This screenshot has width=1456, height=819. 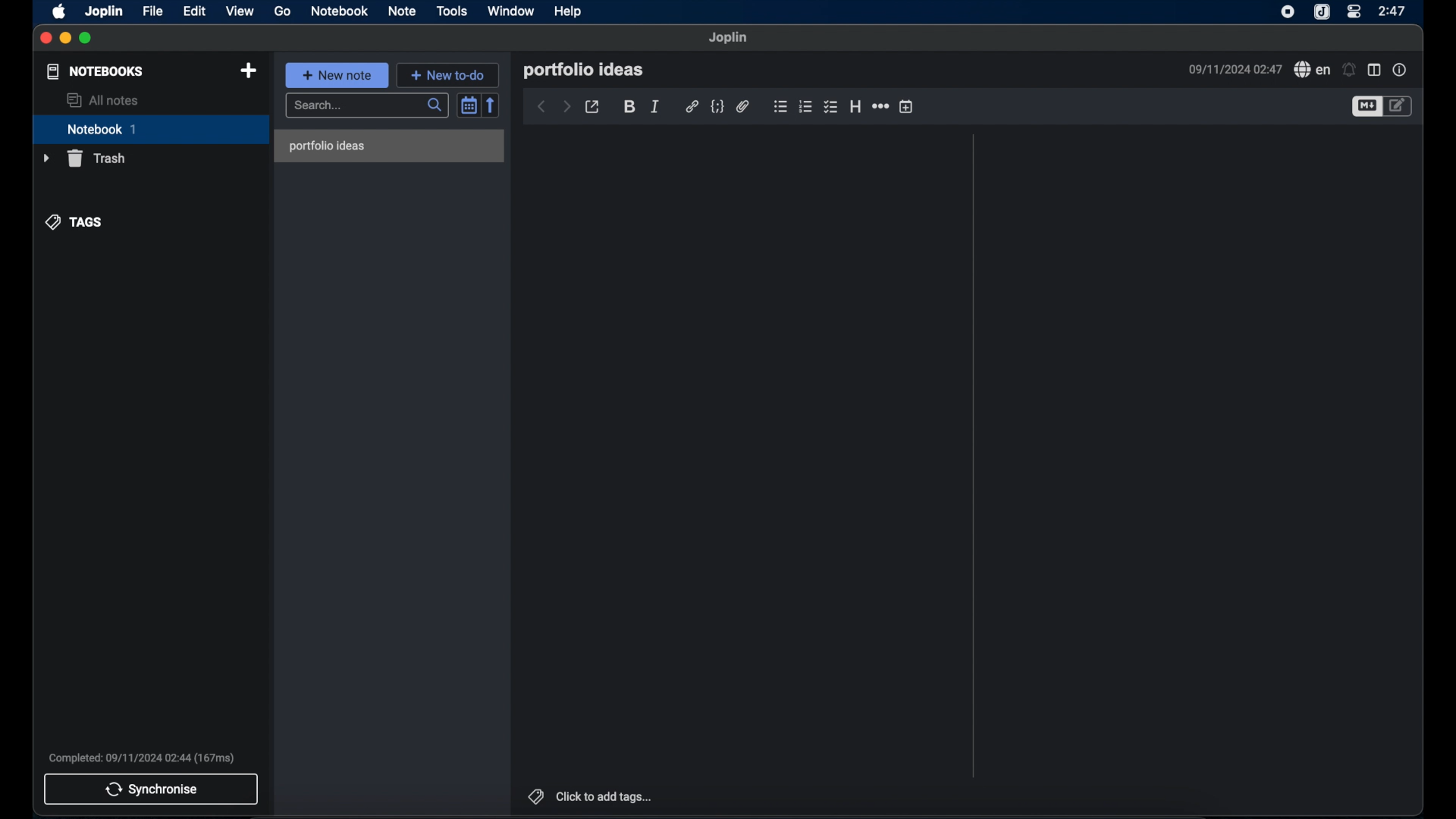 What do you see at coordinates (492, 105) in the screenshot?
I see `reverse  sort order` at bounding box center [492, 105].